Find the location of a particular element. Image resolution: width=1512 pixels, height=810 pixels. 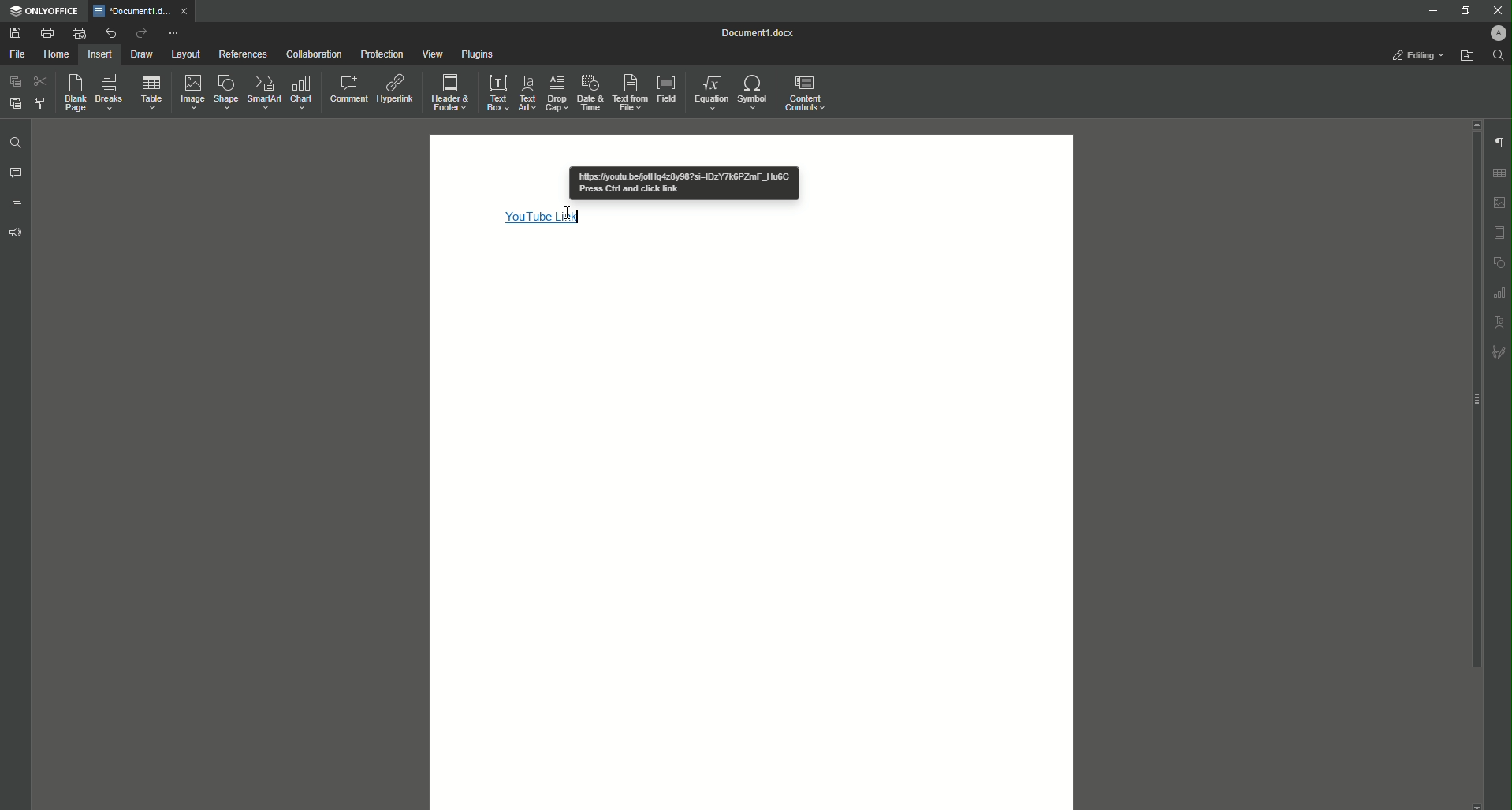

Header & footer settings is located at coordinates (1501, 233).